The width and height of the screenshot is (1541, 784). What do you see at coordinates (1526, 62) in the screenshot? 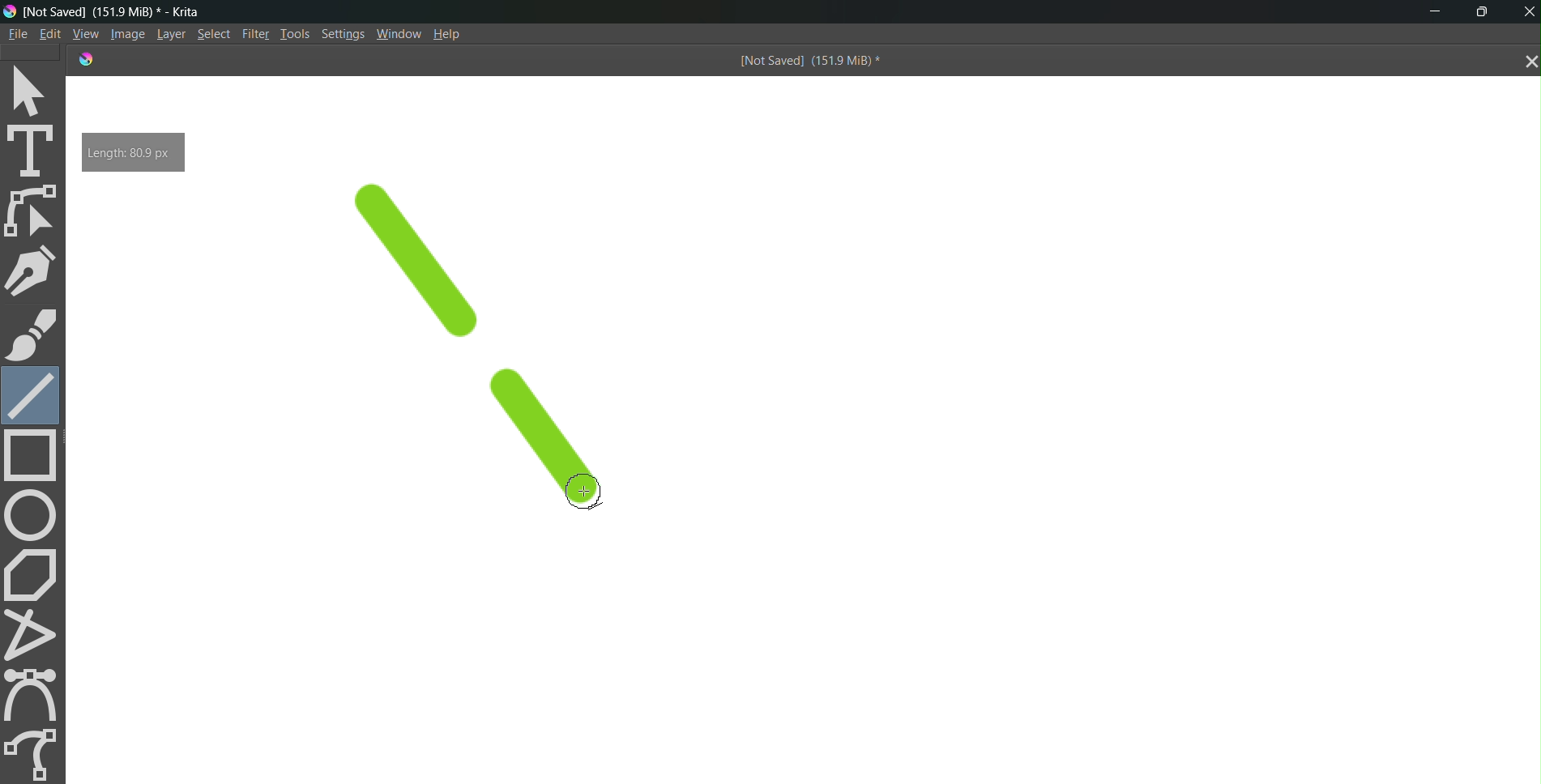
I see `close tab` at bounding box center [1526, 62].